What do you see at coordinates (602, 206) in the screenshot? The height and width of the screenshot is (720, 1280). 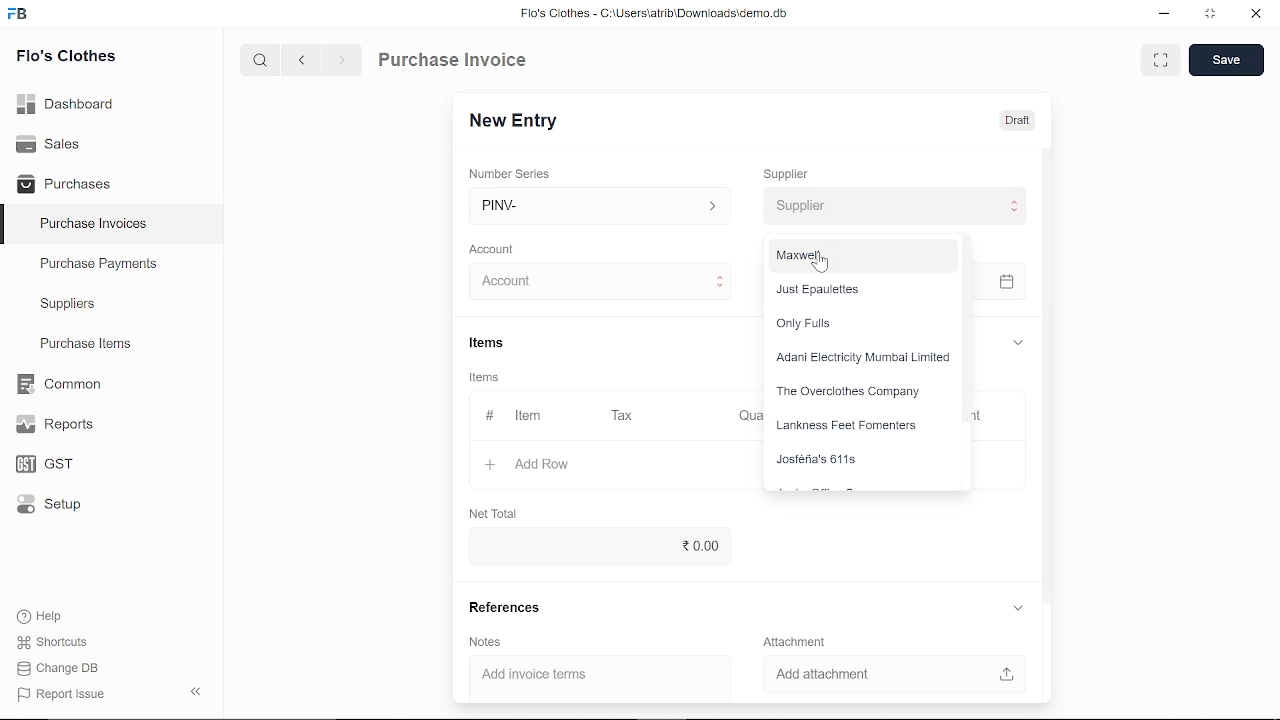 I see `PINV- >` at bounding box center [602, 206].